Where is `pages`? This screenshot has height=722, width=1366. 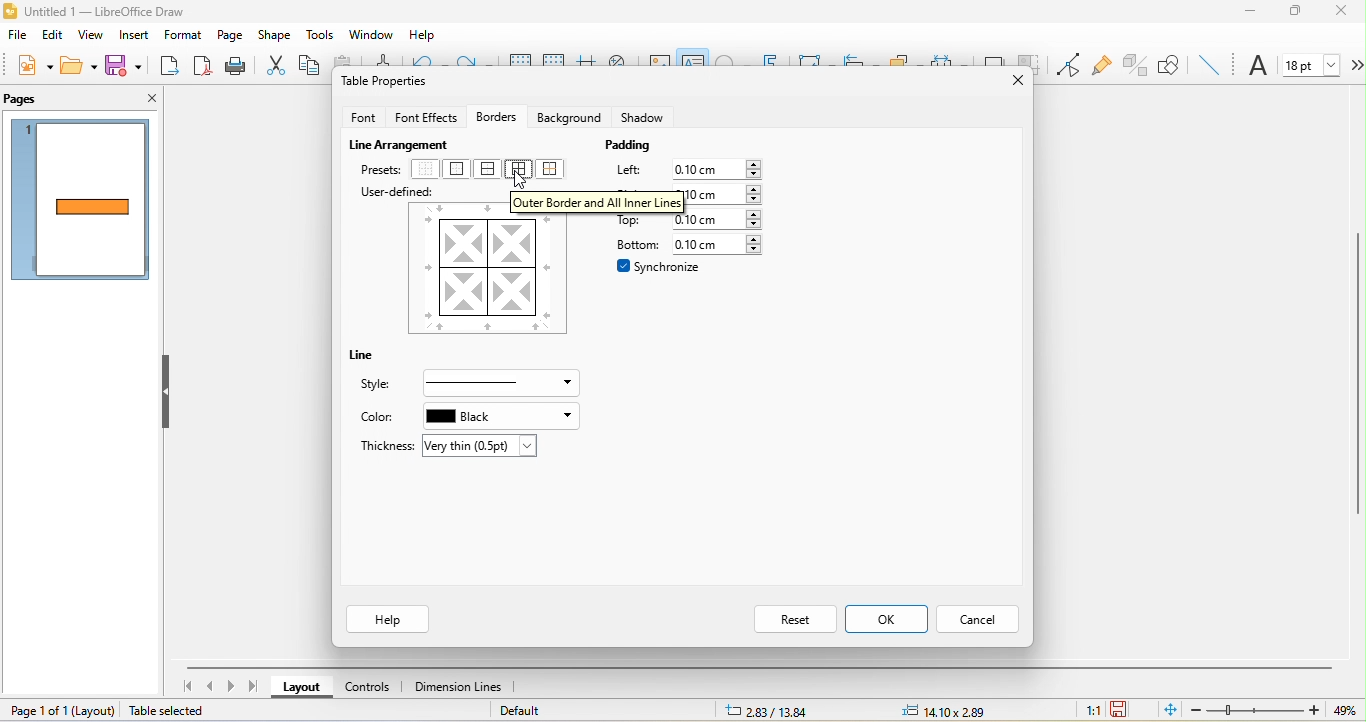
pages is located at coordinates (24, 99).